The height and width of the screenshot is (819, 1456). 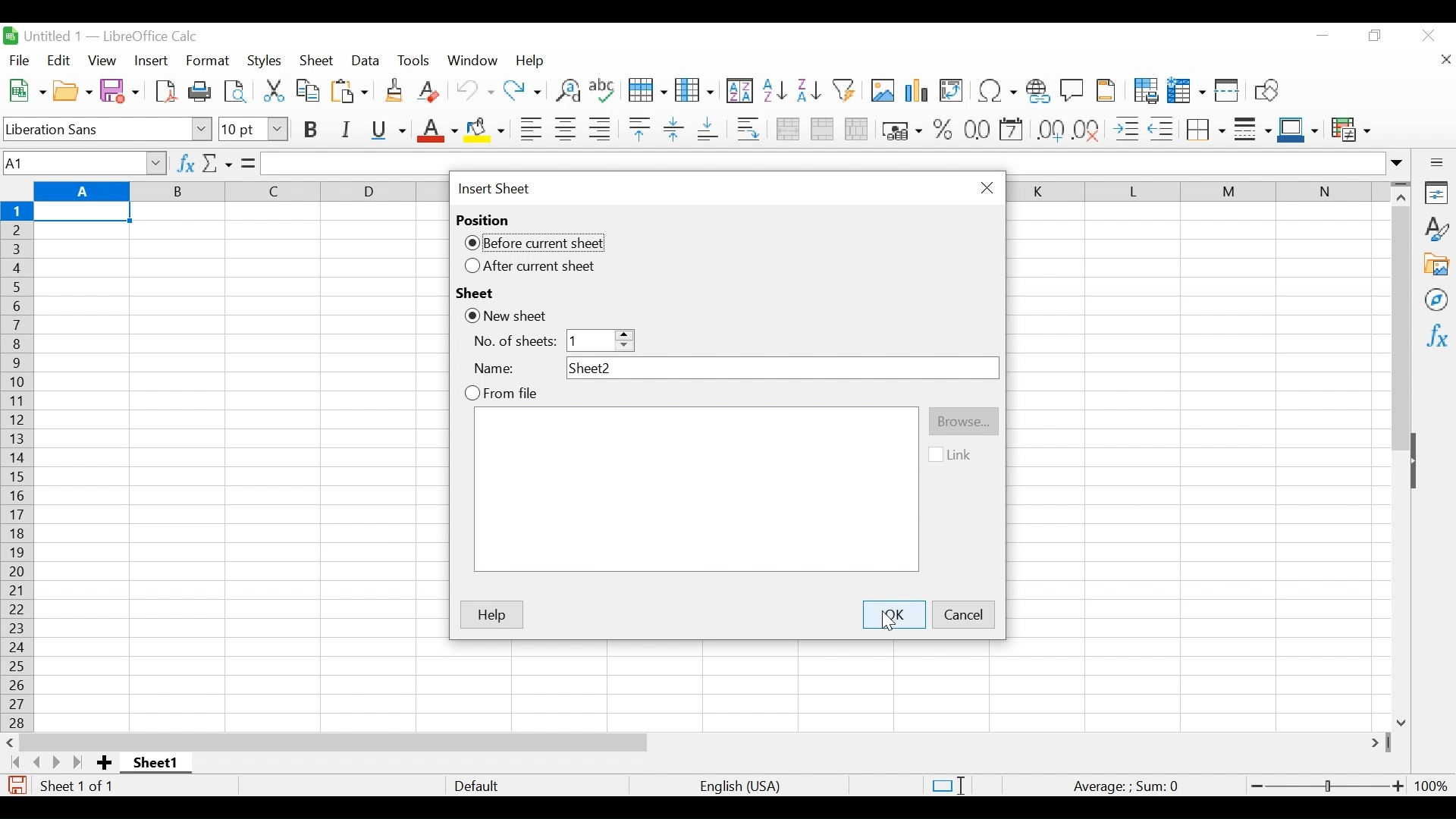 I want to click on language, so click(x=741, y=786).